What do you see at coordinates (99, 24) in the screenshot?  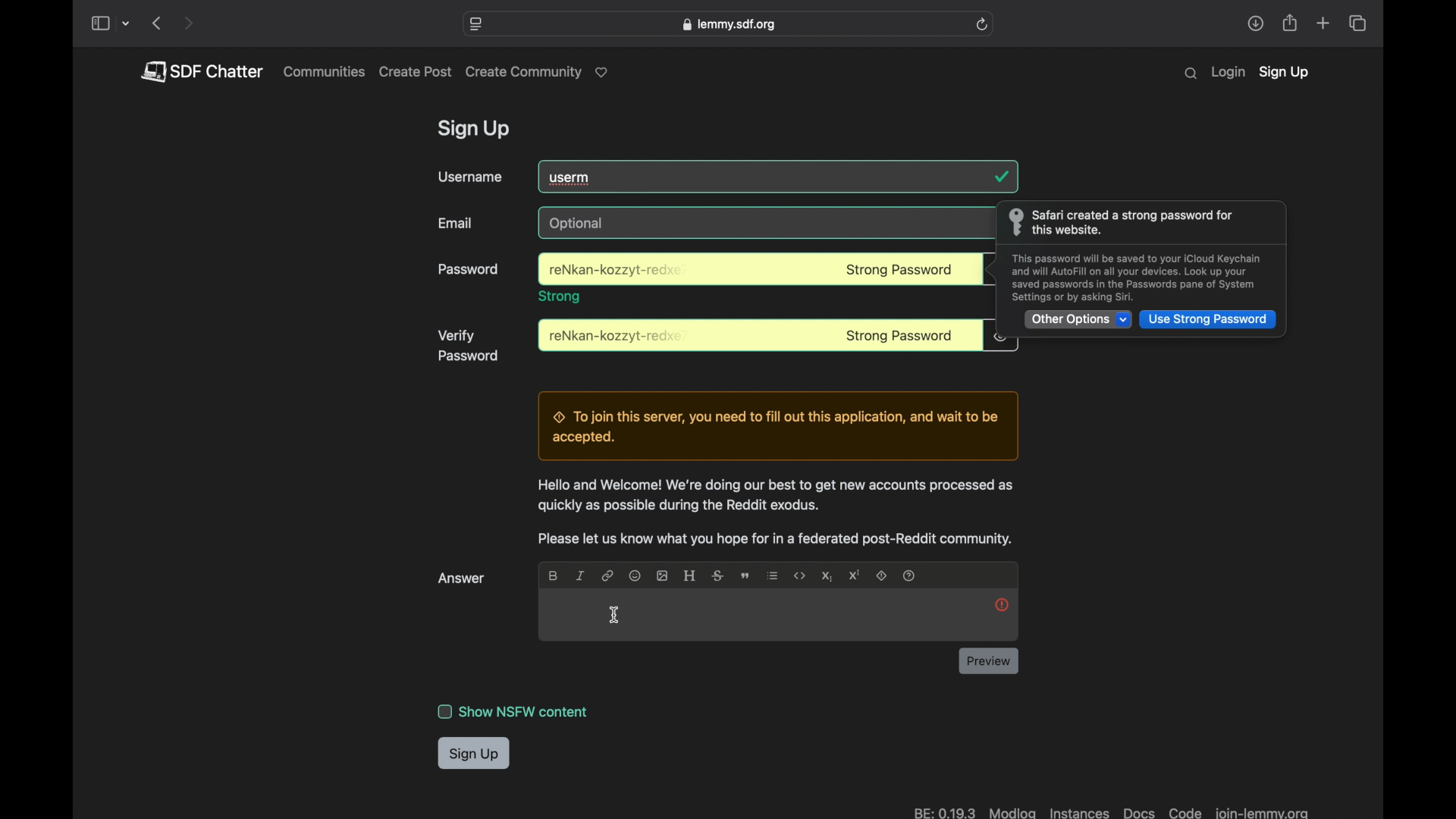 I see `show sidebar` at bounding box center [99, 24].